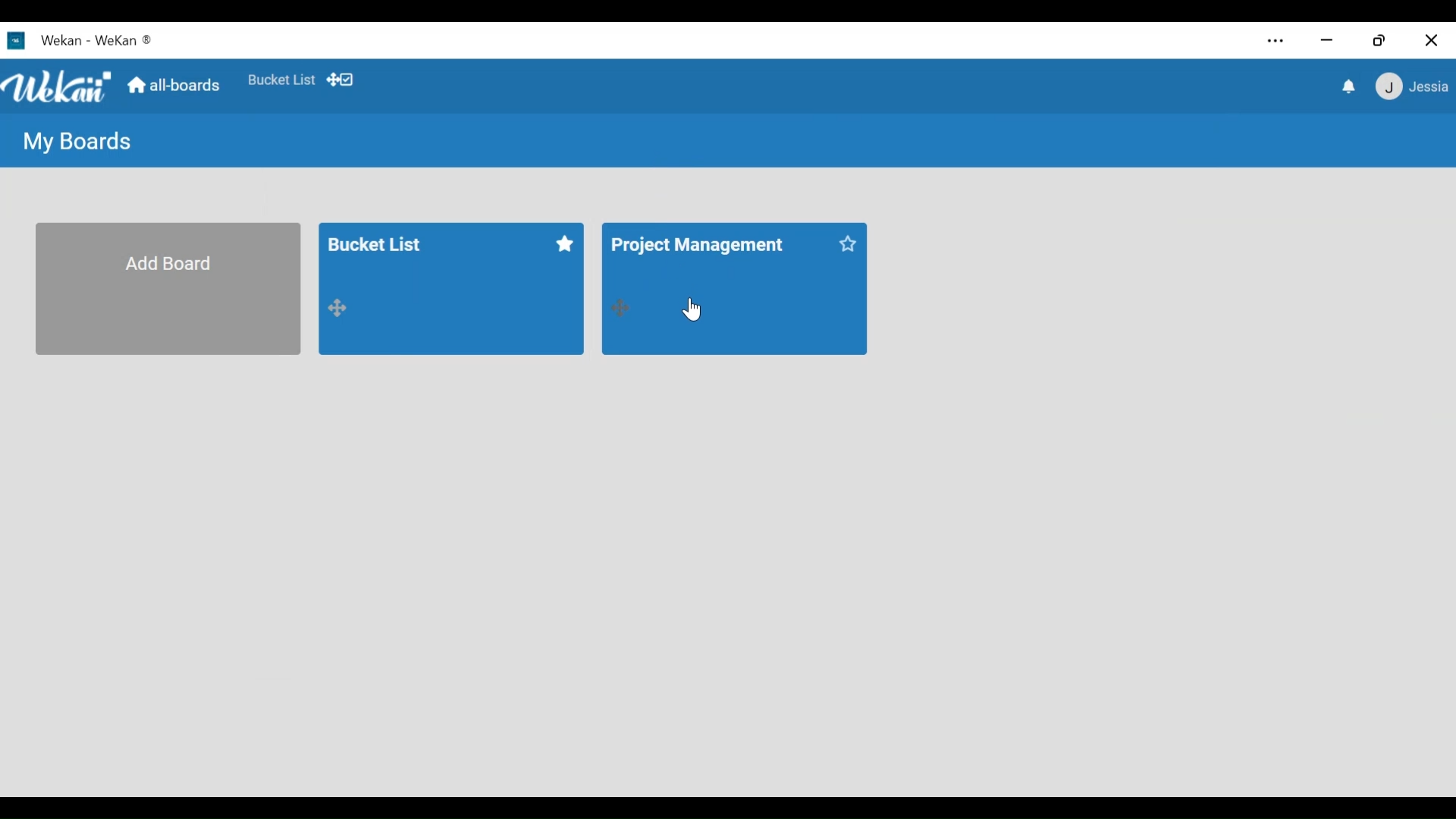  I want to click on move, so click(626, 310).